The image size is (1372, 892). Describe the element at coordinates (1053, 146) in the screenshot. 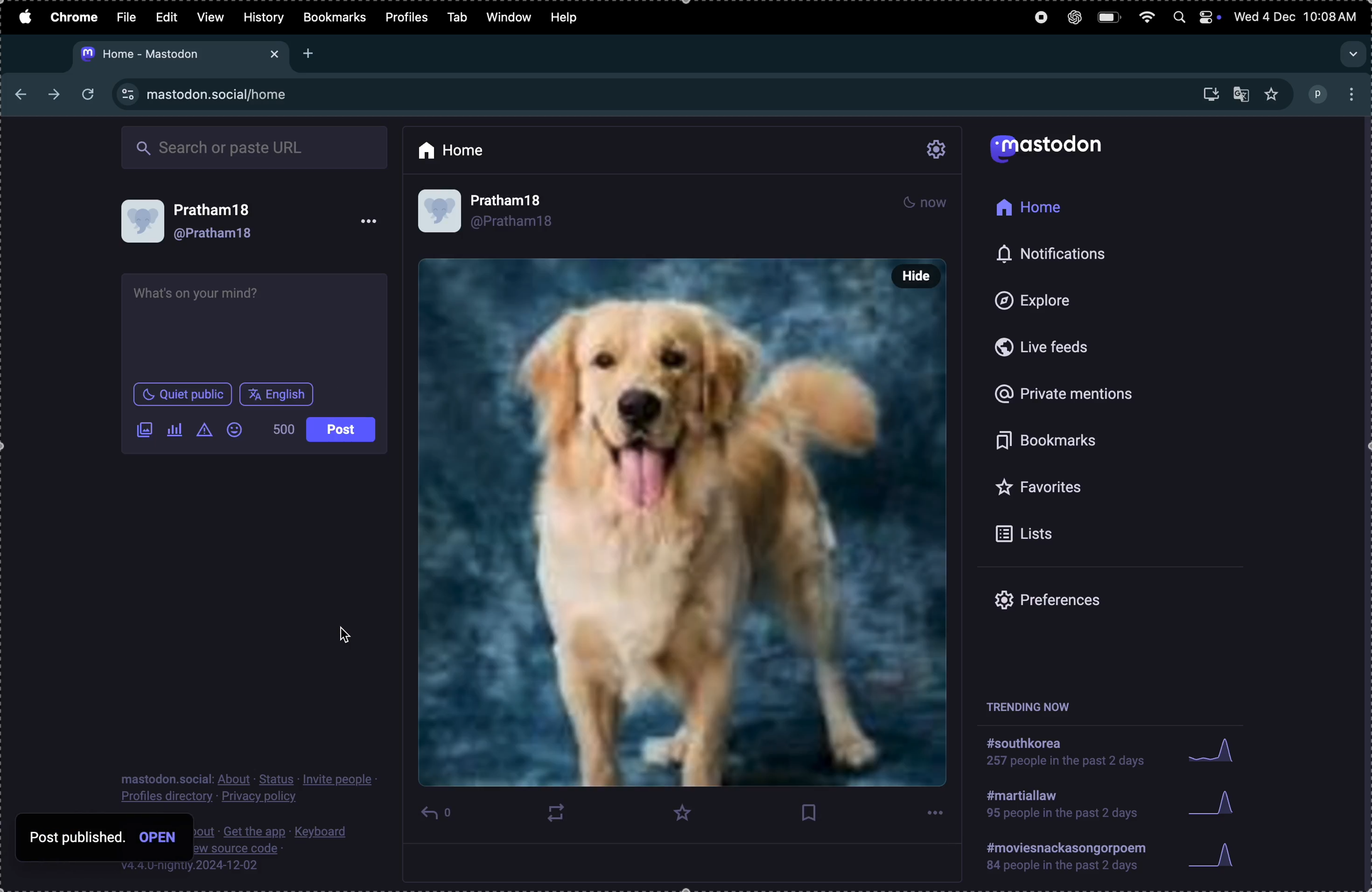

I see `Mastodon` at that location.